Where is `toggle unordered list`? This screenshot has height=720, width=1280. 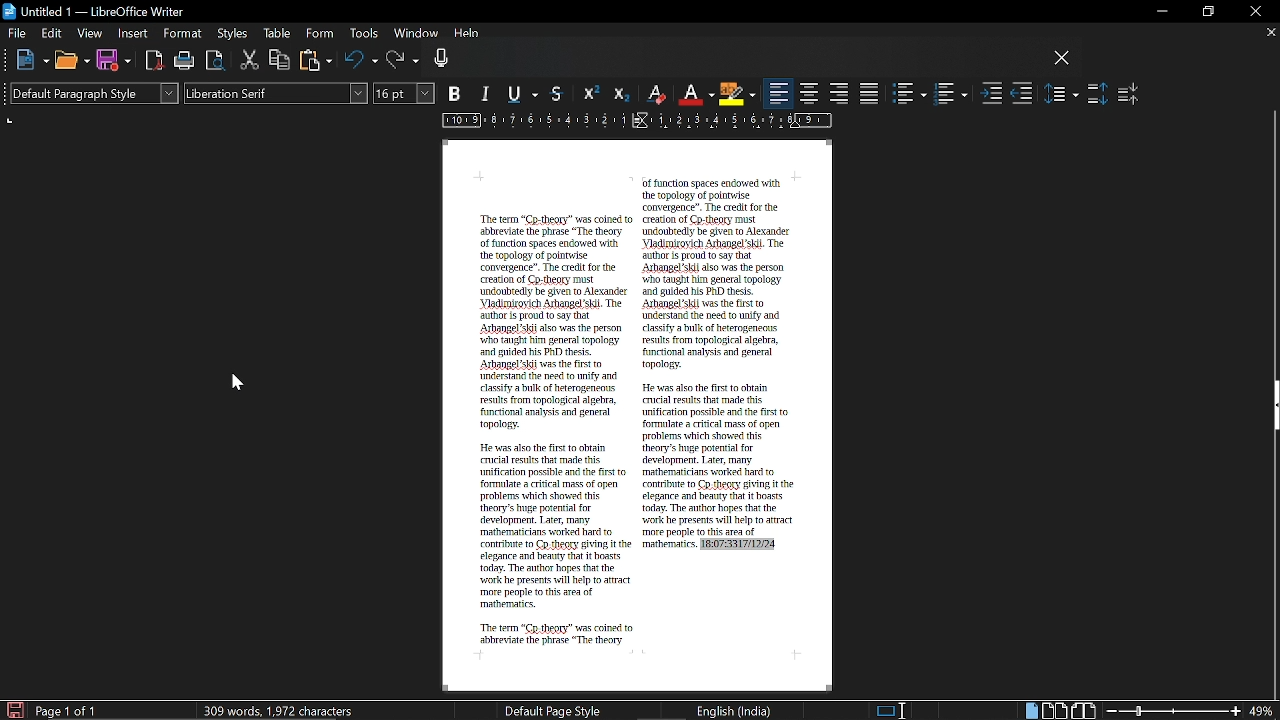 toggle unordered list is located at coordinates (910, 94).